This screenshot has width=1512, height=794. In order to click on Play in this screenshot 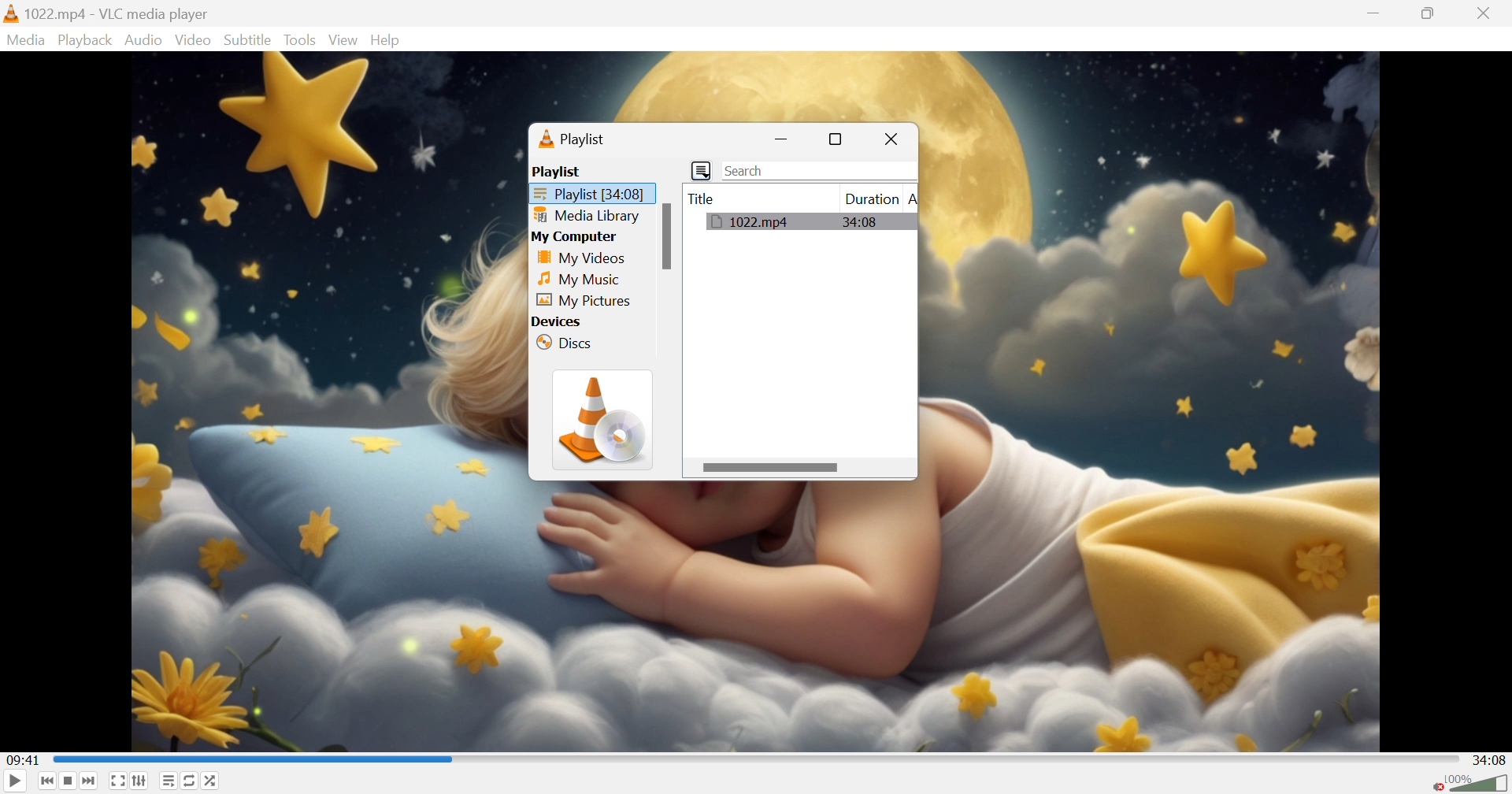, I will do `click(14, 783)`.